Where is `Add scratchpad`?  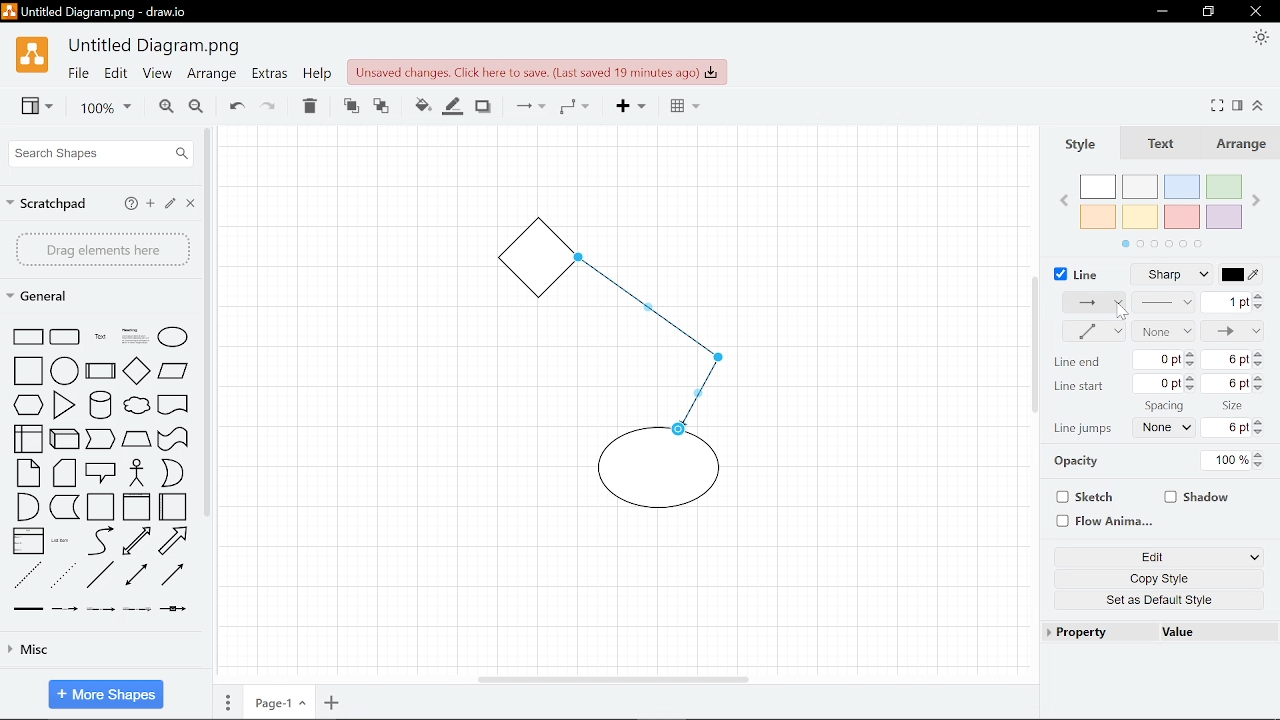 Add scratchpad is located at coordinates (151, 204).